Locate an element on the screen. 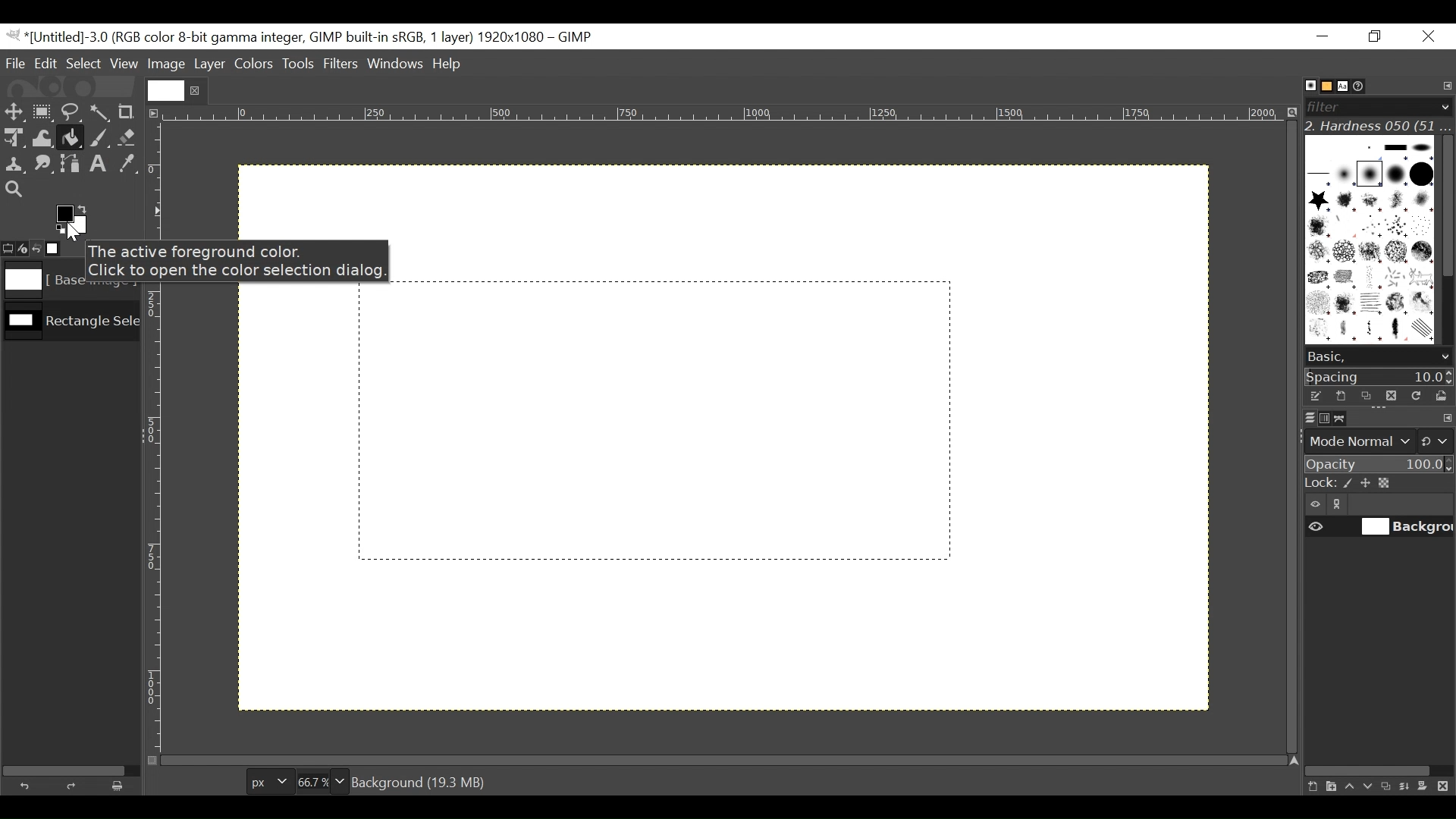  Raise the layer is located at coordinates (1349, 786).